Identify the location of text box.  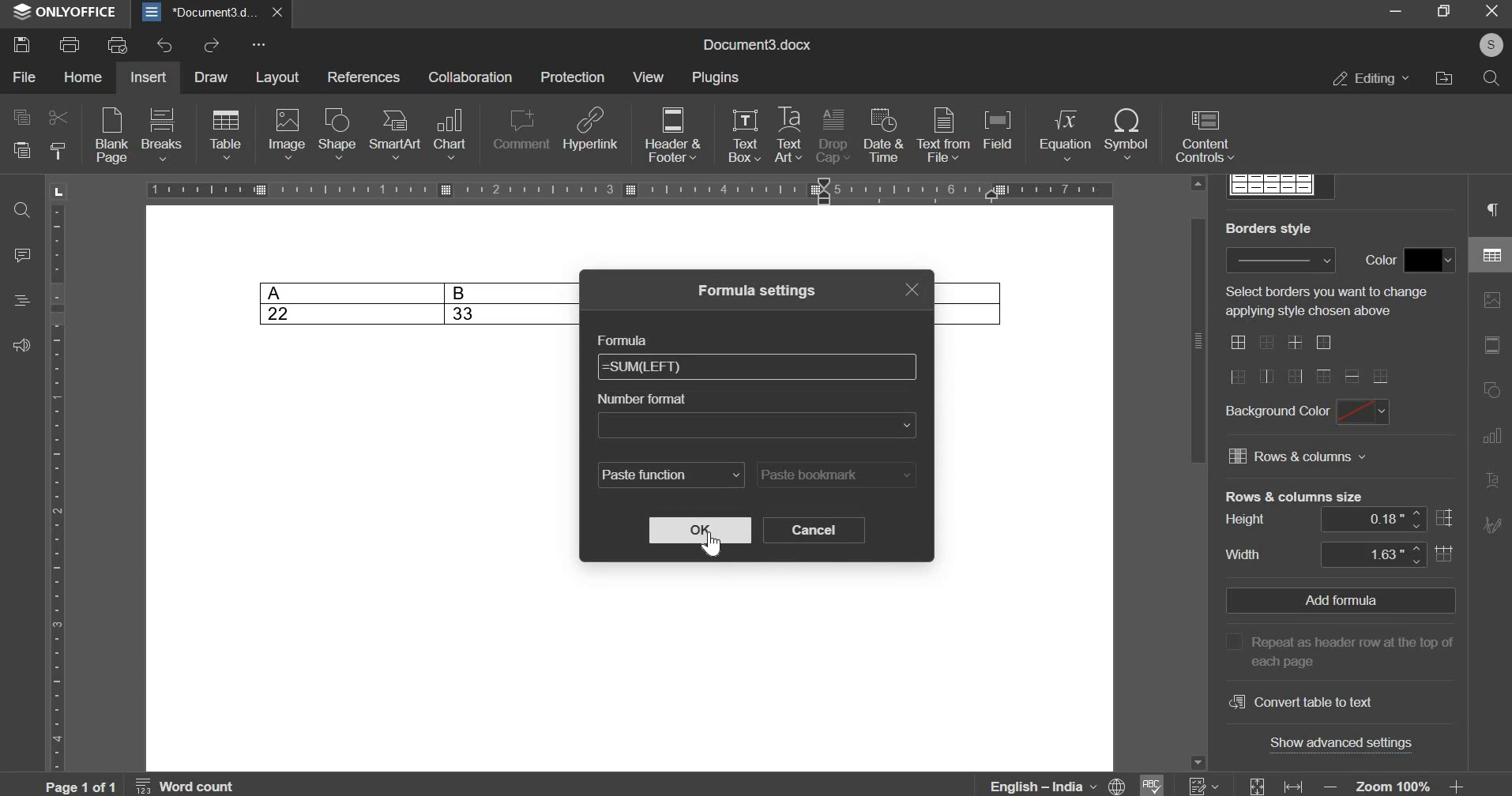
(744, 135).